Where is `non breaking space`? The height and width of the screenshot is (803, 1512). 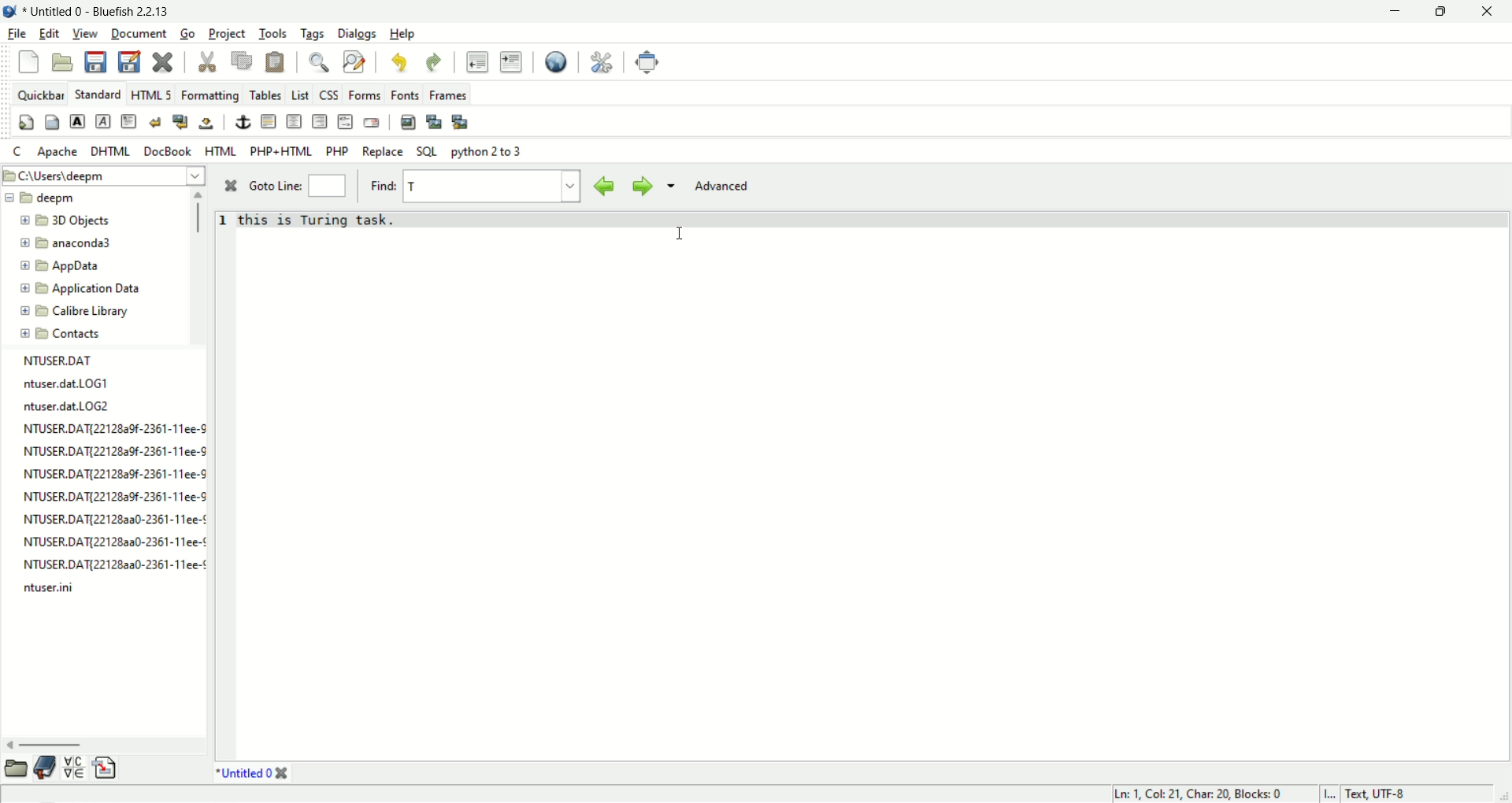
non breaking space is located at coordinates (207, 124).